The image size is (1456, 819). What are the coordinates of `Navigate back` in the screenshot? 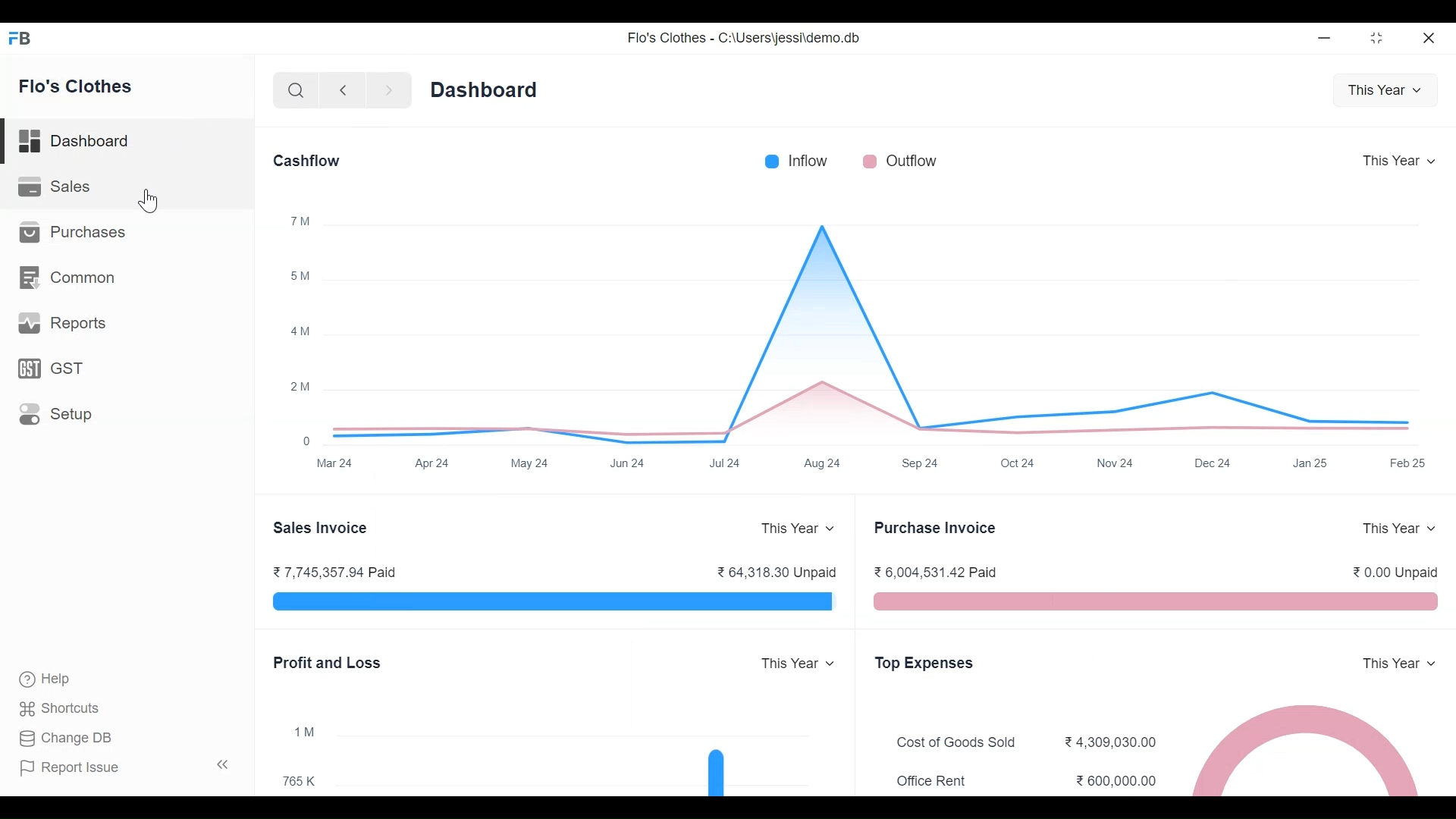 It's located at (341, 89).